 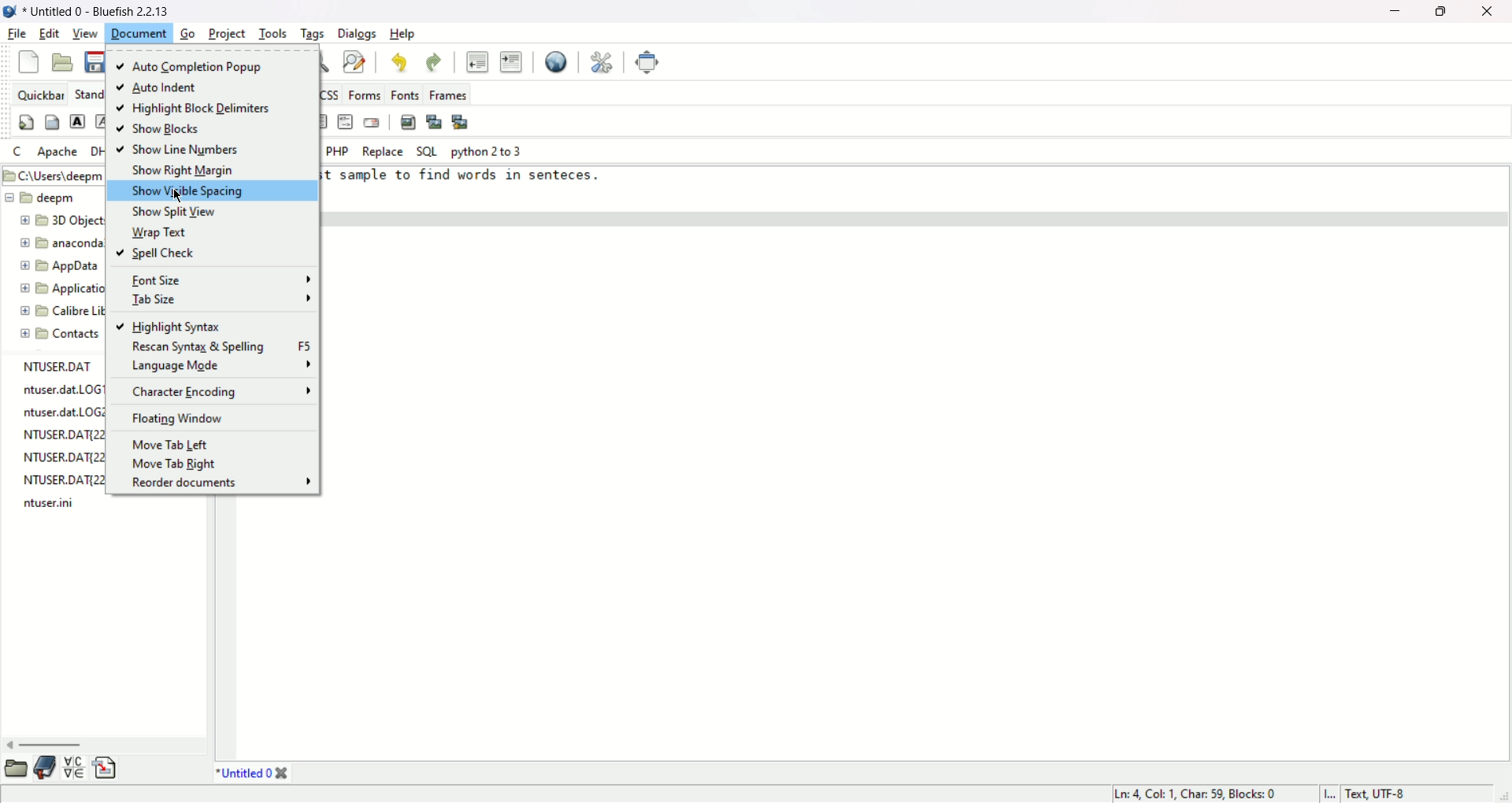 What do you see at coordinates (1503, 796) in the screenshot?
I see `Drag to change size` at bounding box center [1503, 796].